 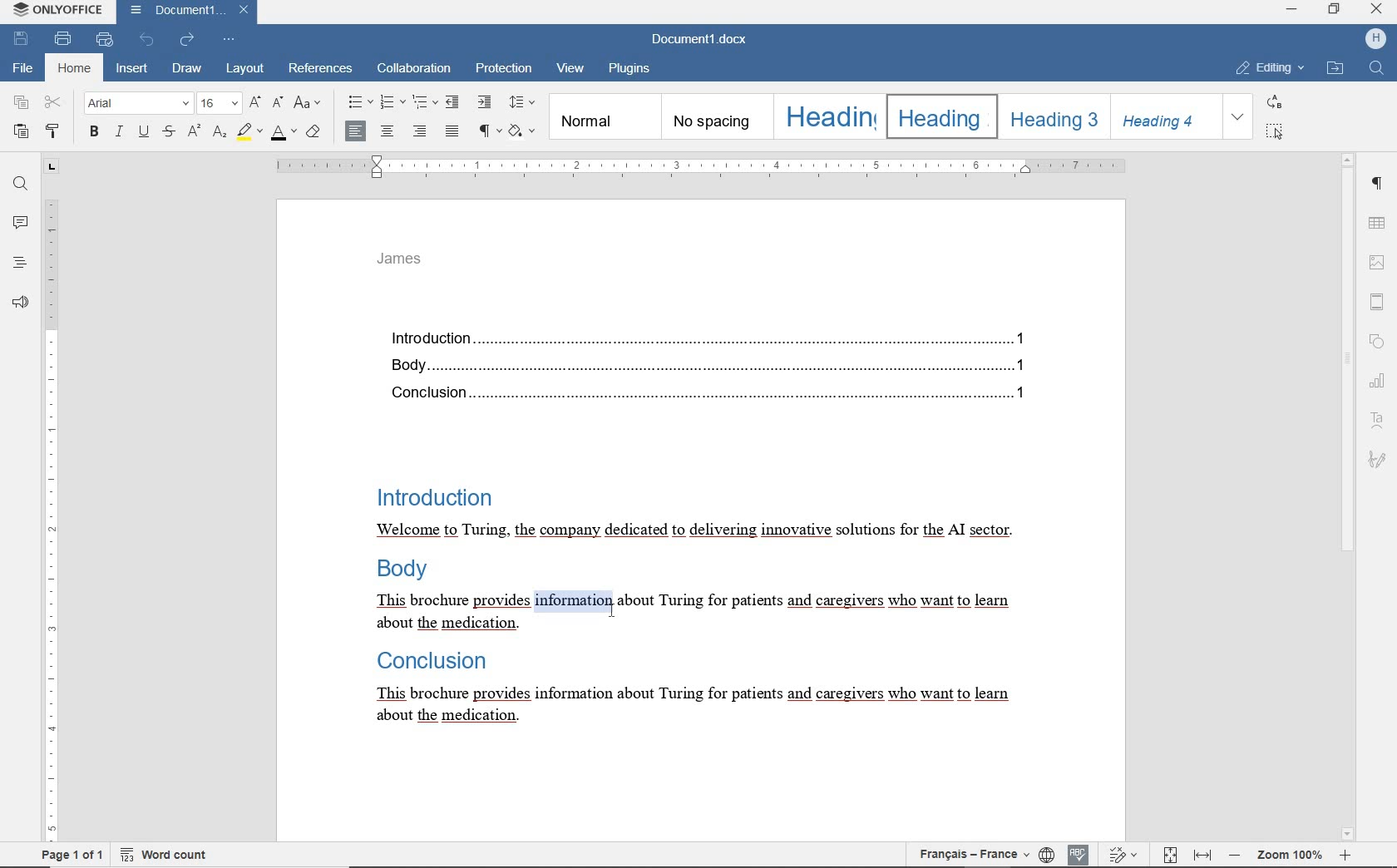 I want to click on CUT, so click(x=54, y=103).